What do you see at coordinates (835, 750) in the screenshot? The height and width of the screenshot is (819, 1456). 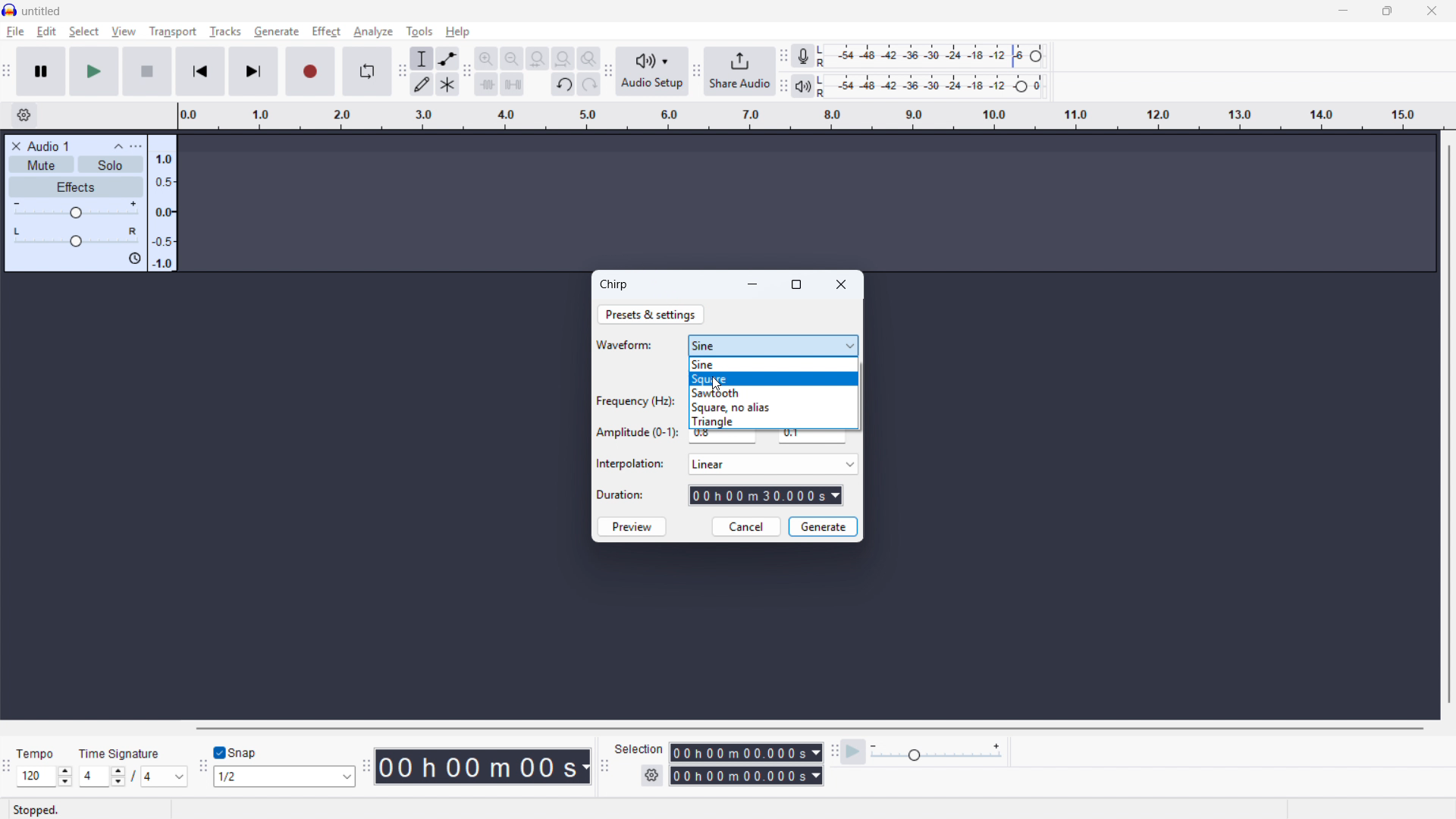 I see `Play at speed toolbar ` at bounding box center [835, 750].